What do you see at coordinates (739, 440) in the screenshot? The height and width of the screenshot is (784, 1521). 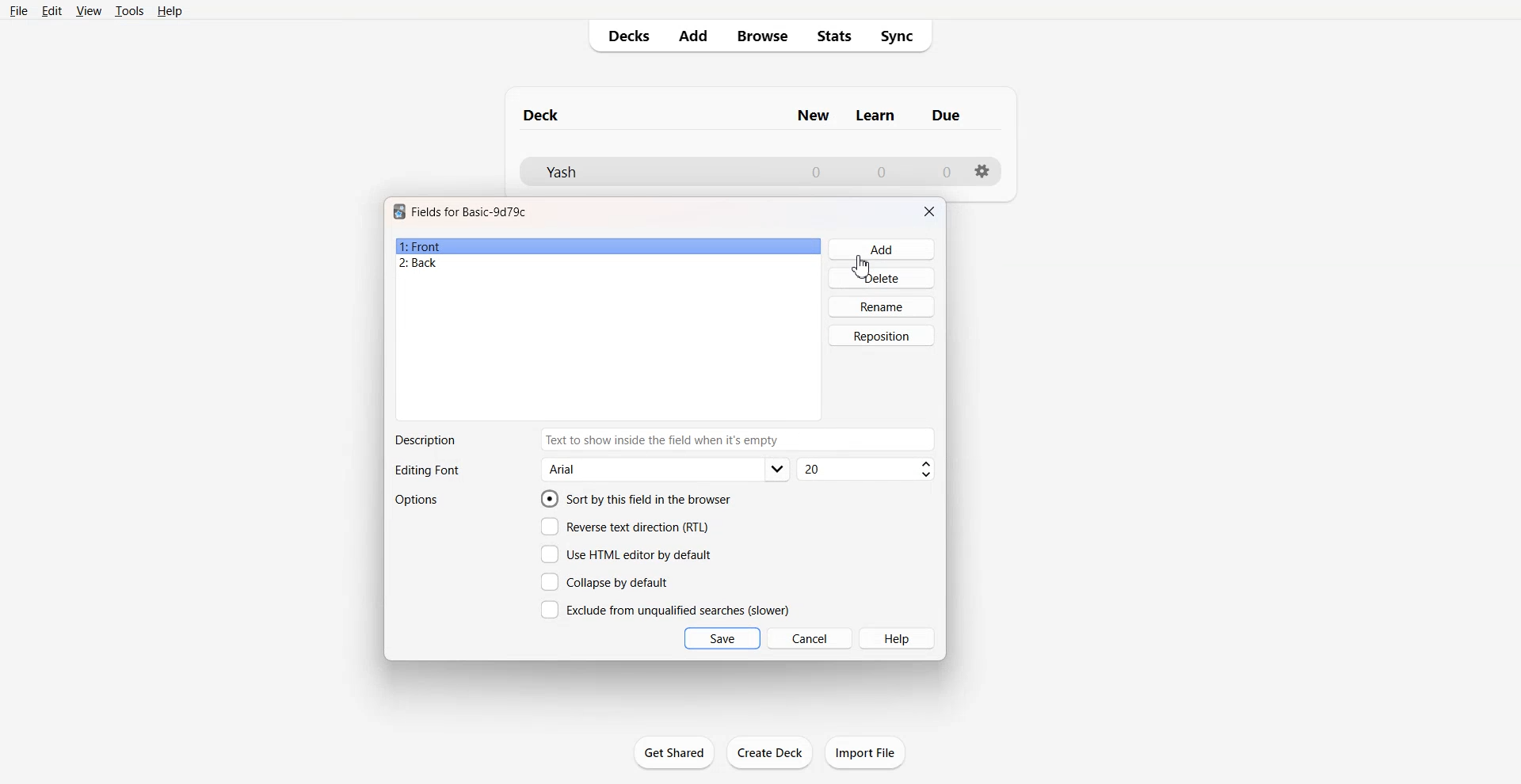 I see `Enter Description` at bounding box center [739, 440].